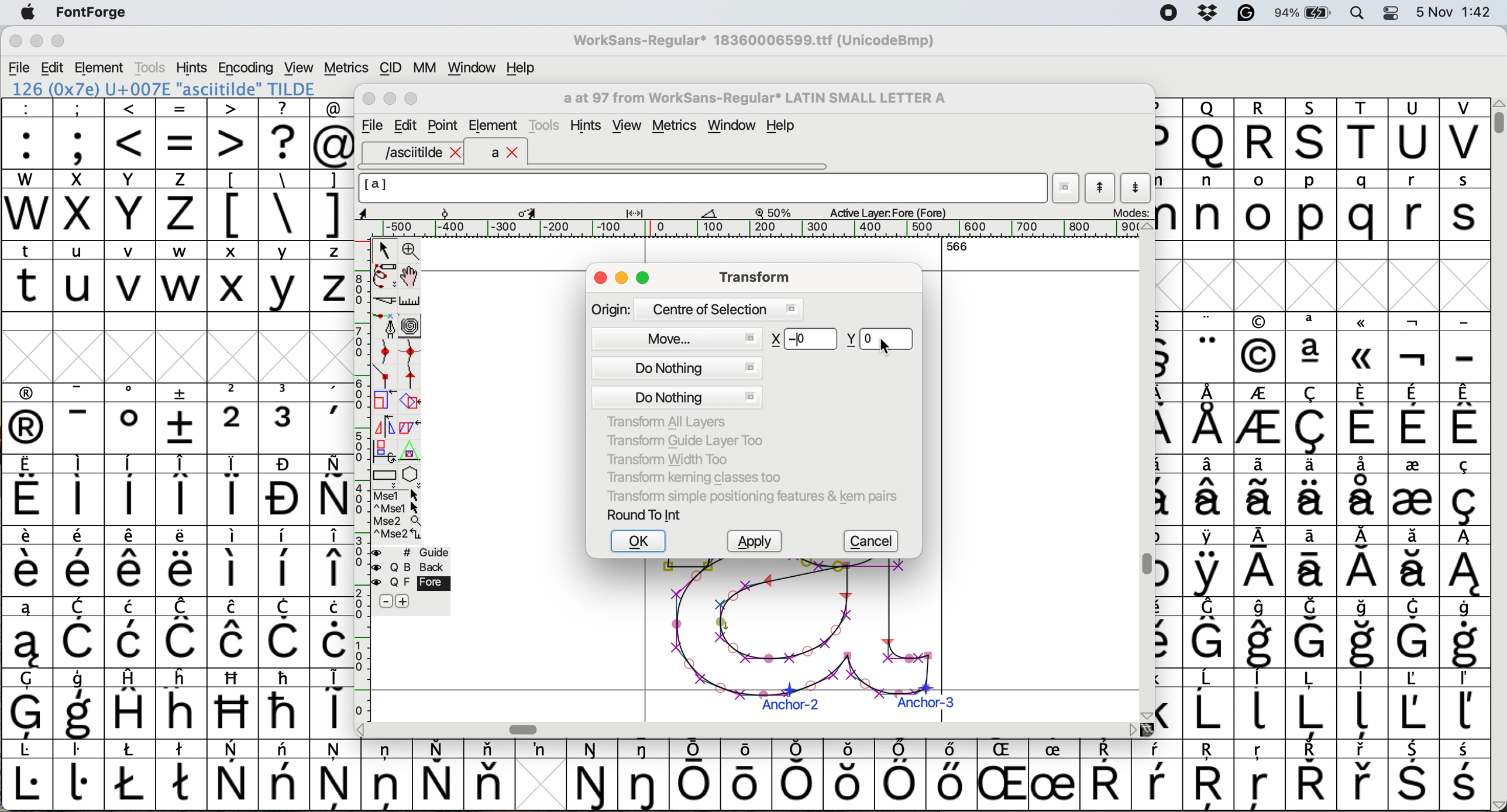  I want to click on vertical scroll bar, so click(1496, 117).